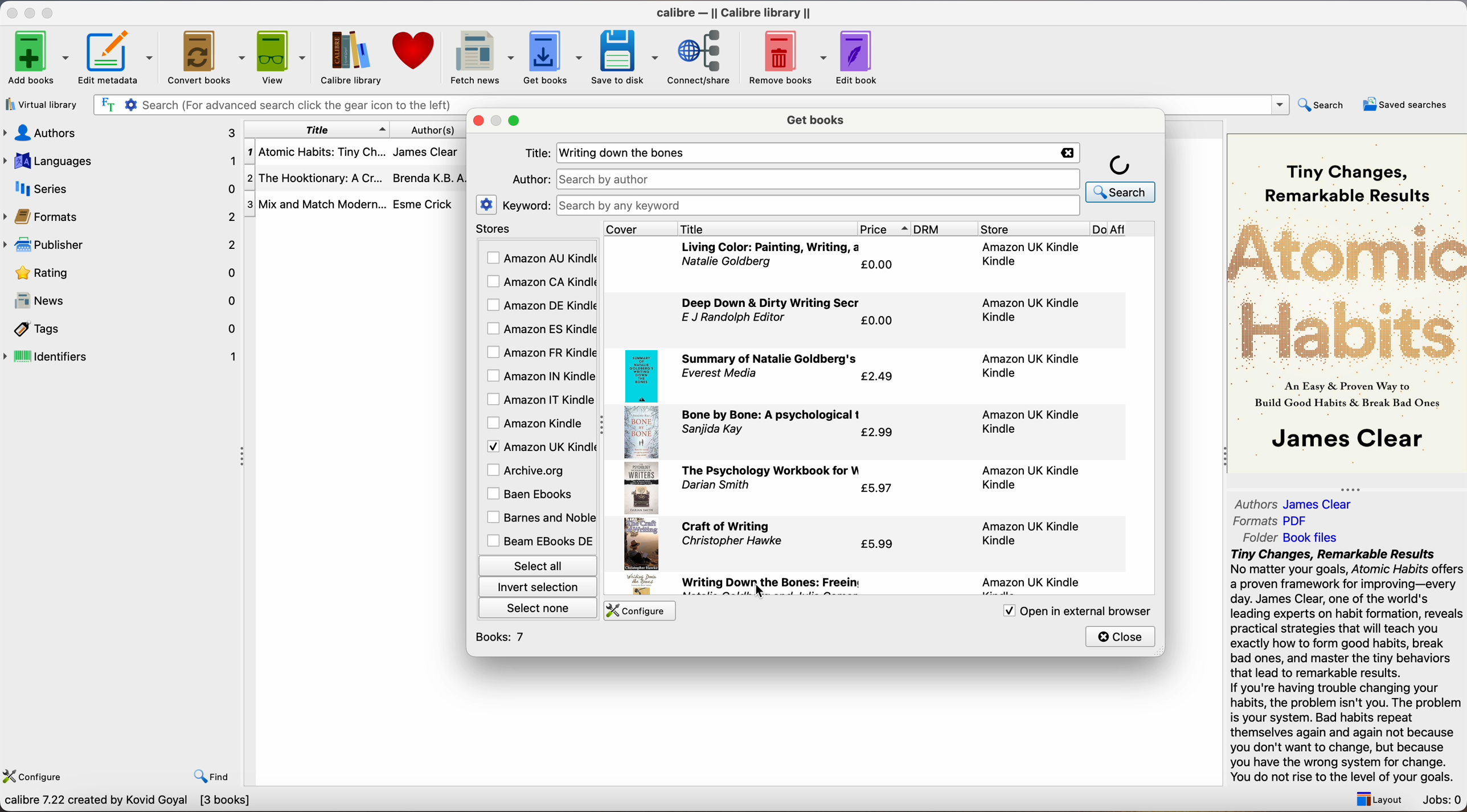 The image size is (1467, 812). What do you see at coordinates (770, 246) in the screenshot?
I see `living color: Painting, Writing, a` at bounding box center [770, 246].